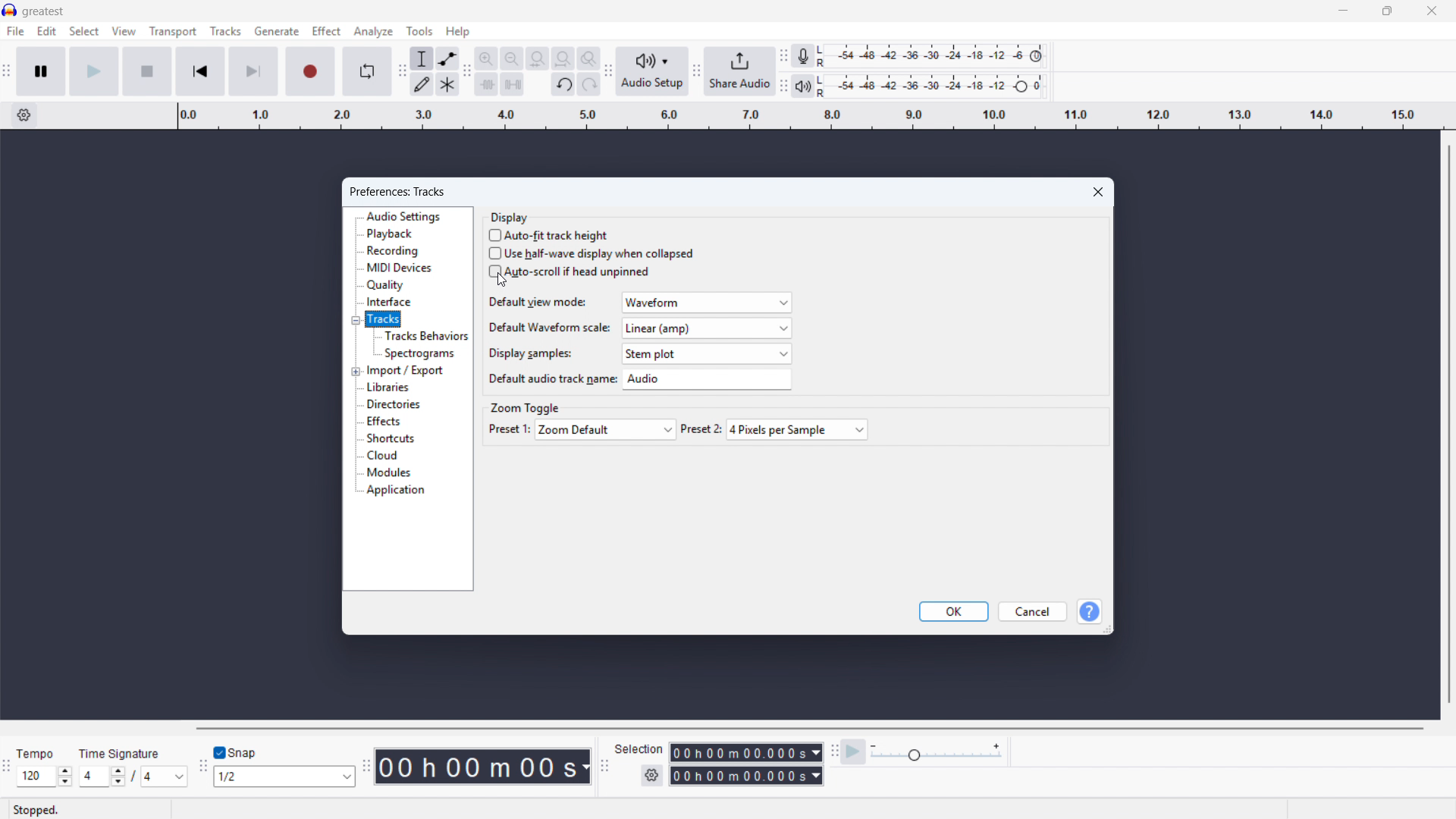 The height and width of the screenshot is (819, 1456). I want to click on Draw tool , so click(421, 84).